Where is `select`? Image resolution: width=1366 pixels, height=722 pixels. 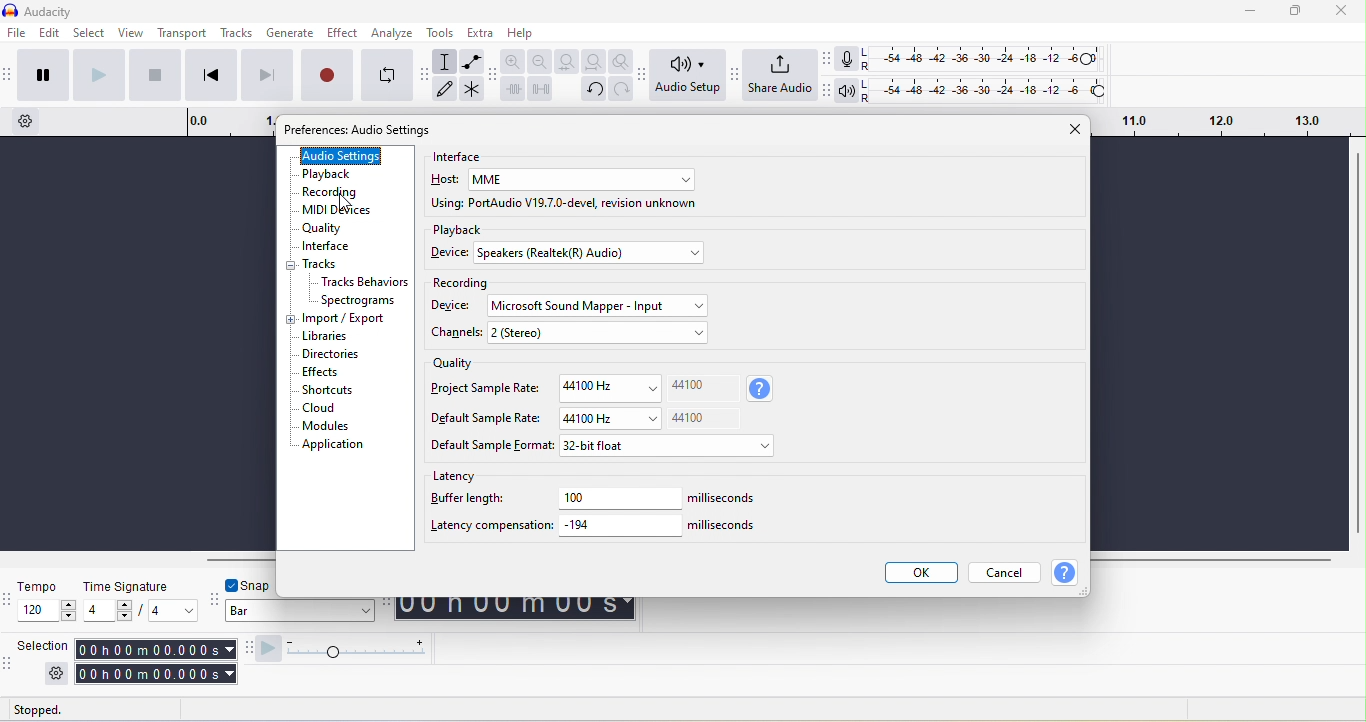 select is located at coordinates (88, 32).